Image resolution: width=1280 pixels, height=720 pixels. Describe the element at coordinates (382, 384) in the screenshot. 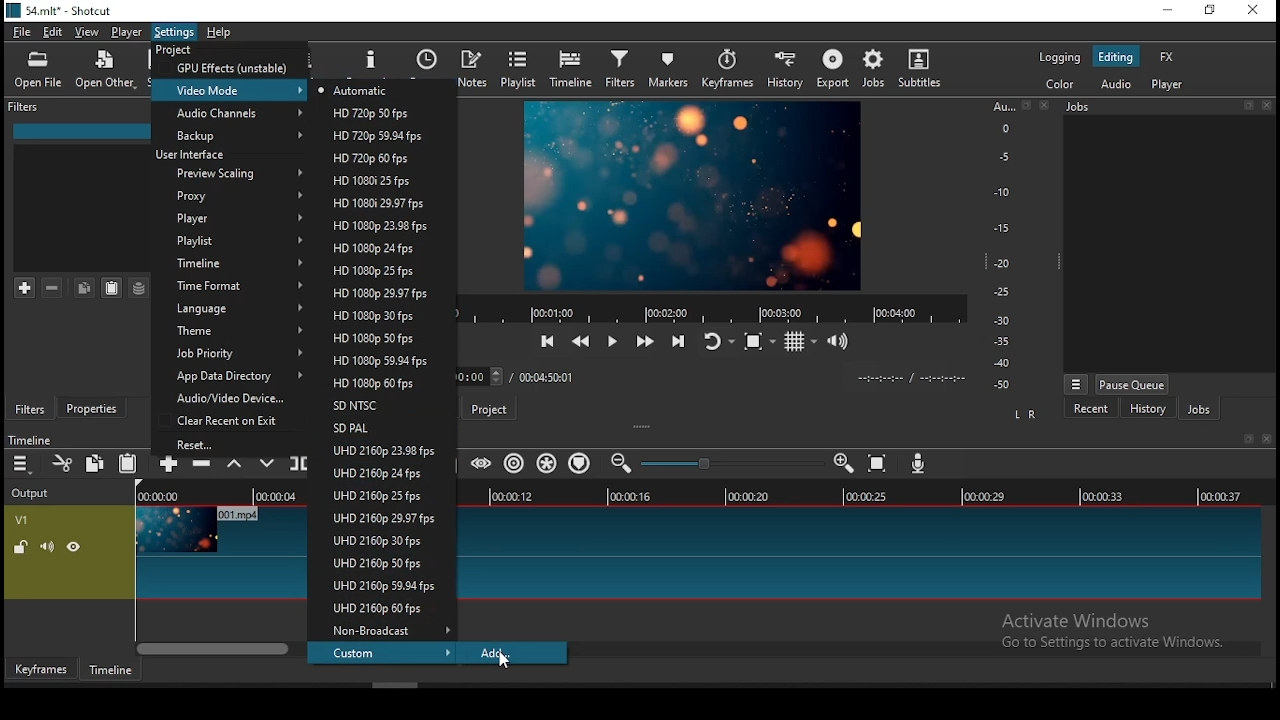

I see `resolution option` at that location.